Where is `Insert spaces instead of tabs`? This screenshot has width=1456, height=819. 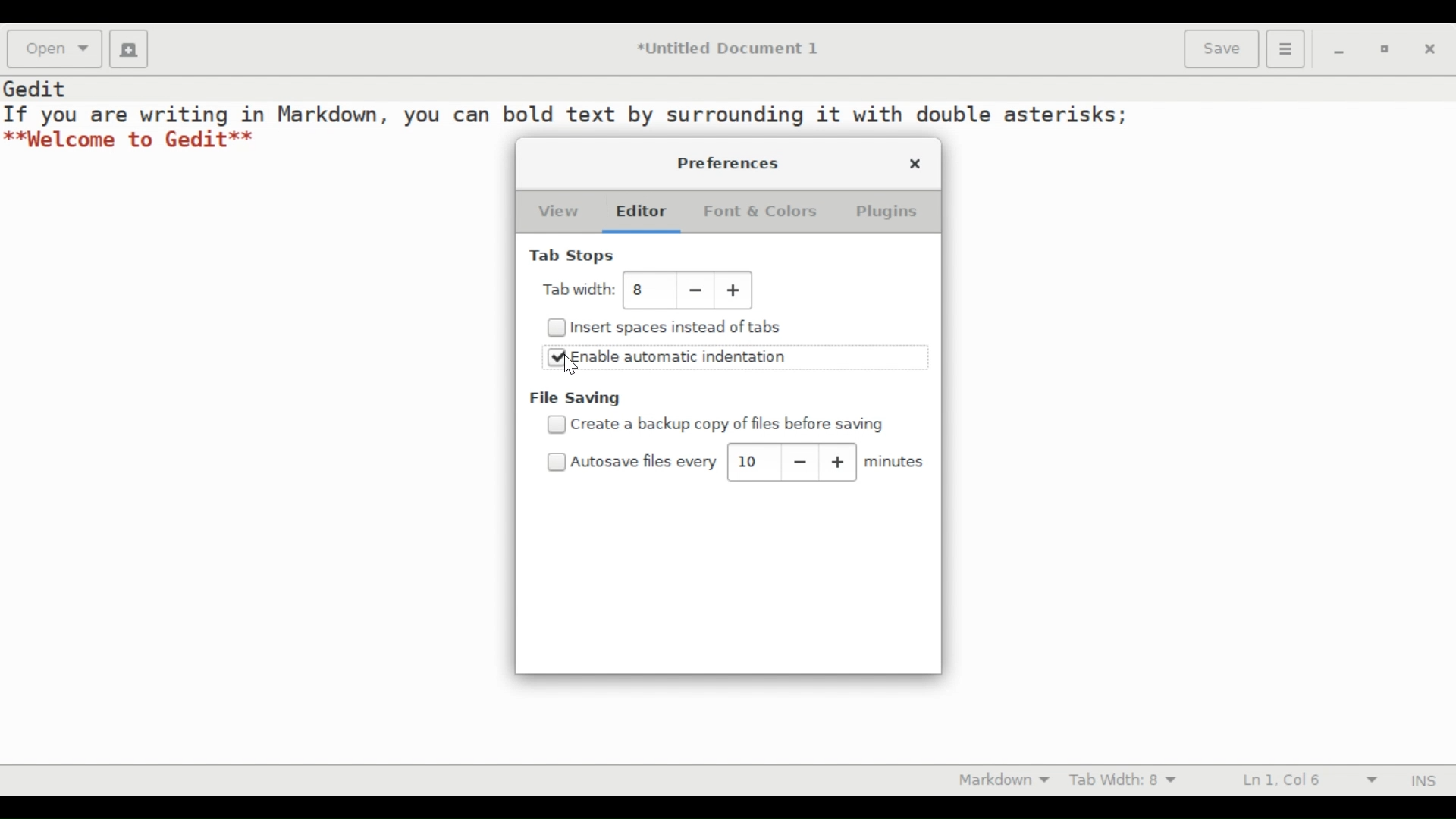 Insert spaces instead of tabs is located at coordinates (677, 327).